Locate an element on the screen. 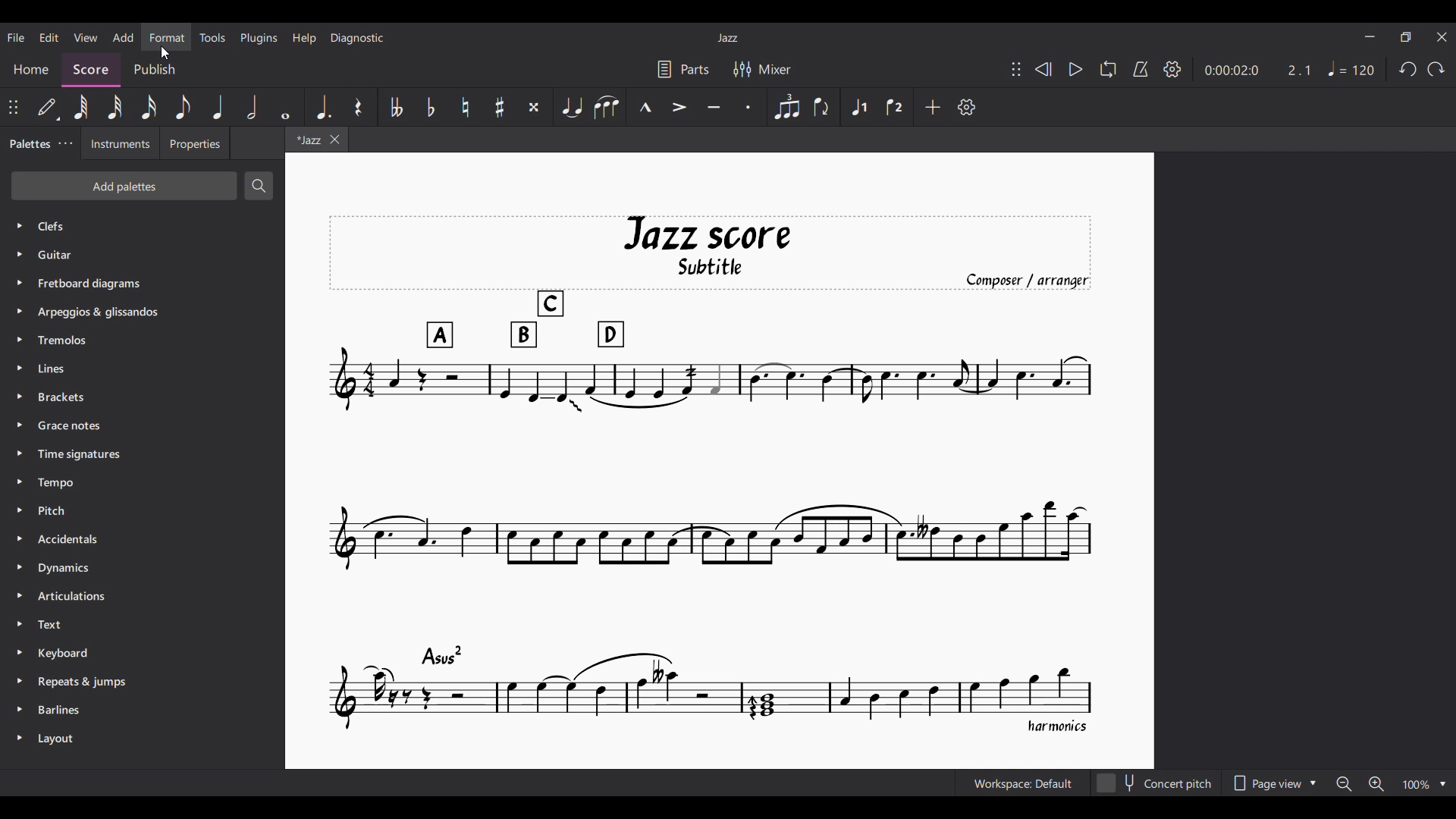 This screenshot has height=819, width=1456. Page view options is located at coordinates (1274, 783).